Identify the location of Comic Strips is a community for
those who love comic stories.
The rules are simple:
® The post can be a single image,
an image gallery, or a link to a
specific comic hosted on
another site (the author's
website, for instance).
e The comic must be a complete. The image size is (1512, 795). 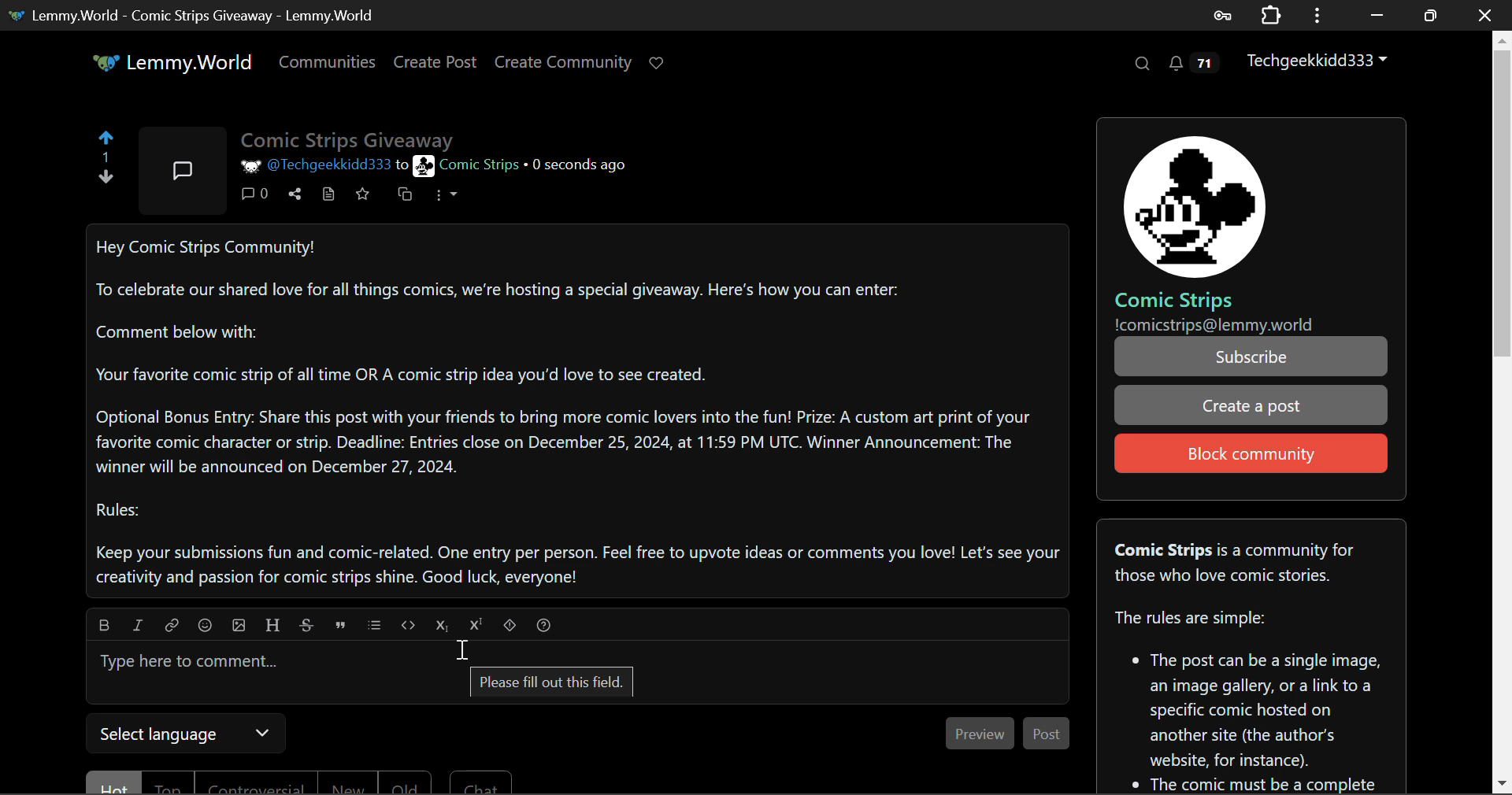
(1251, 656).